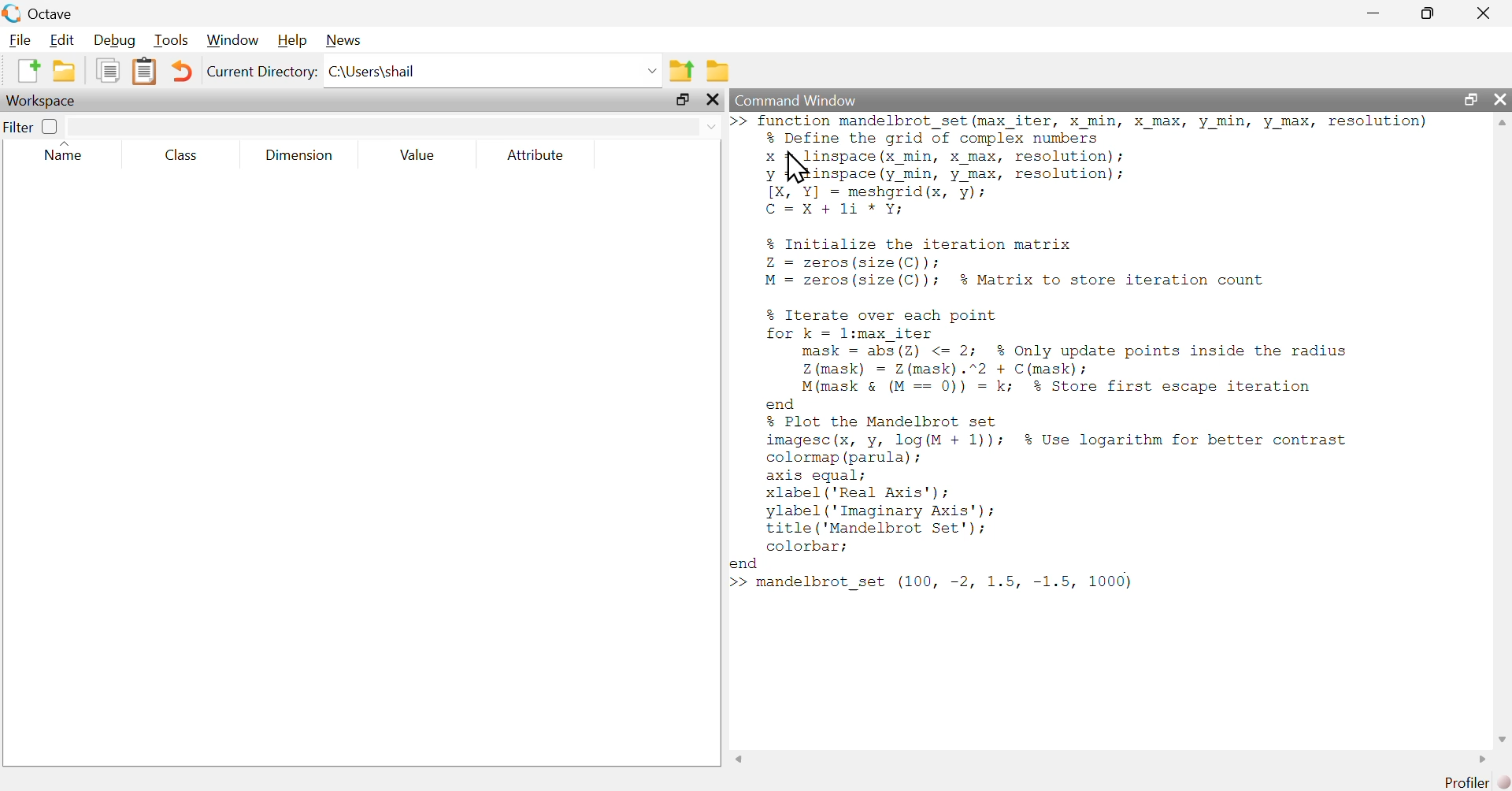 The height and width of the screenshot is (791, 1512). I want to click on Scrollbar up, so click(1502, 124).